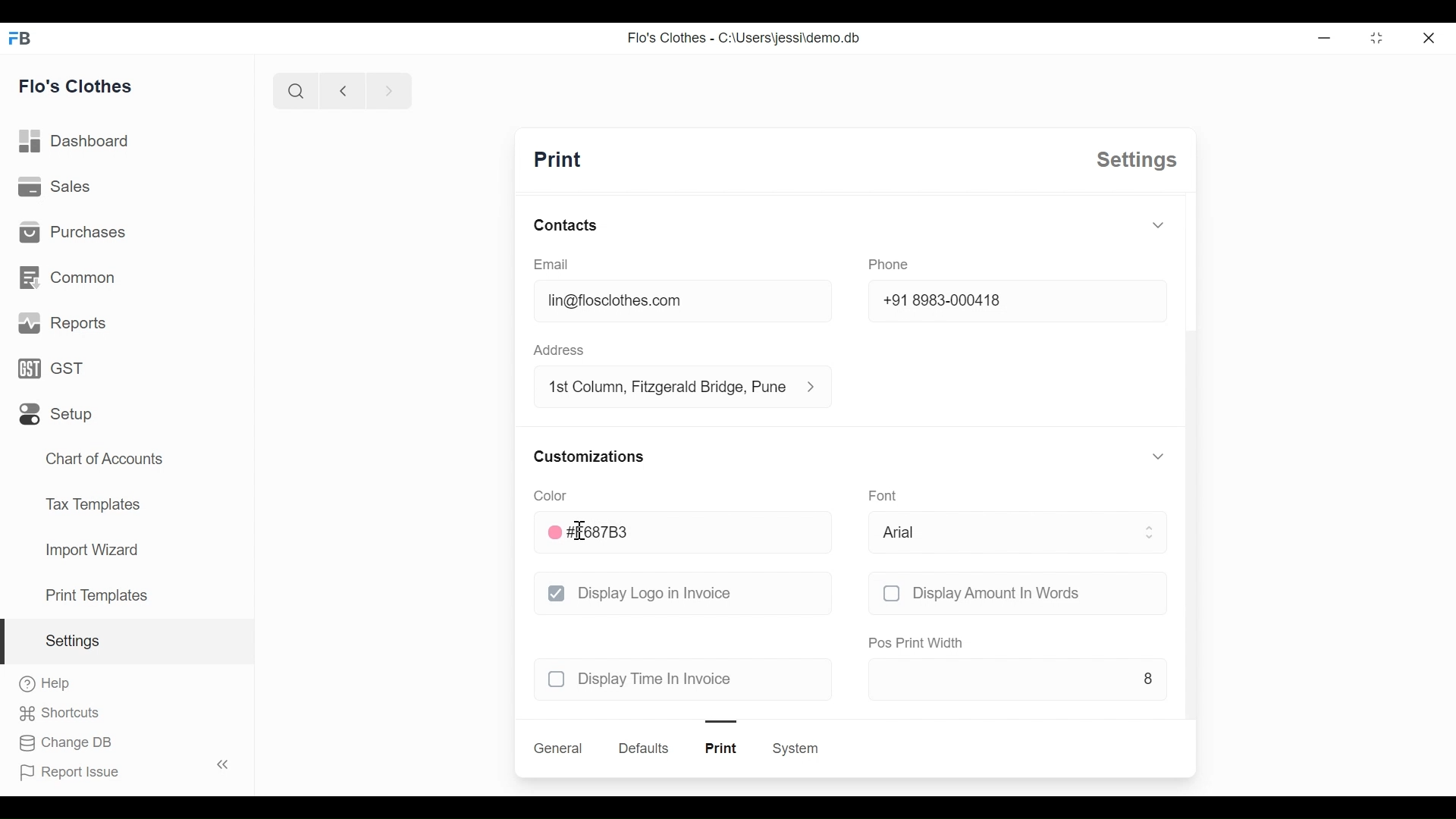 This screenshot has height=819, width=1456. Describe the element at coordinates (67, 278) in the screenshot. I see `common` at that location.